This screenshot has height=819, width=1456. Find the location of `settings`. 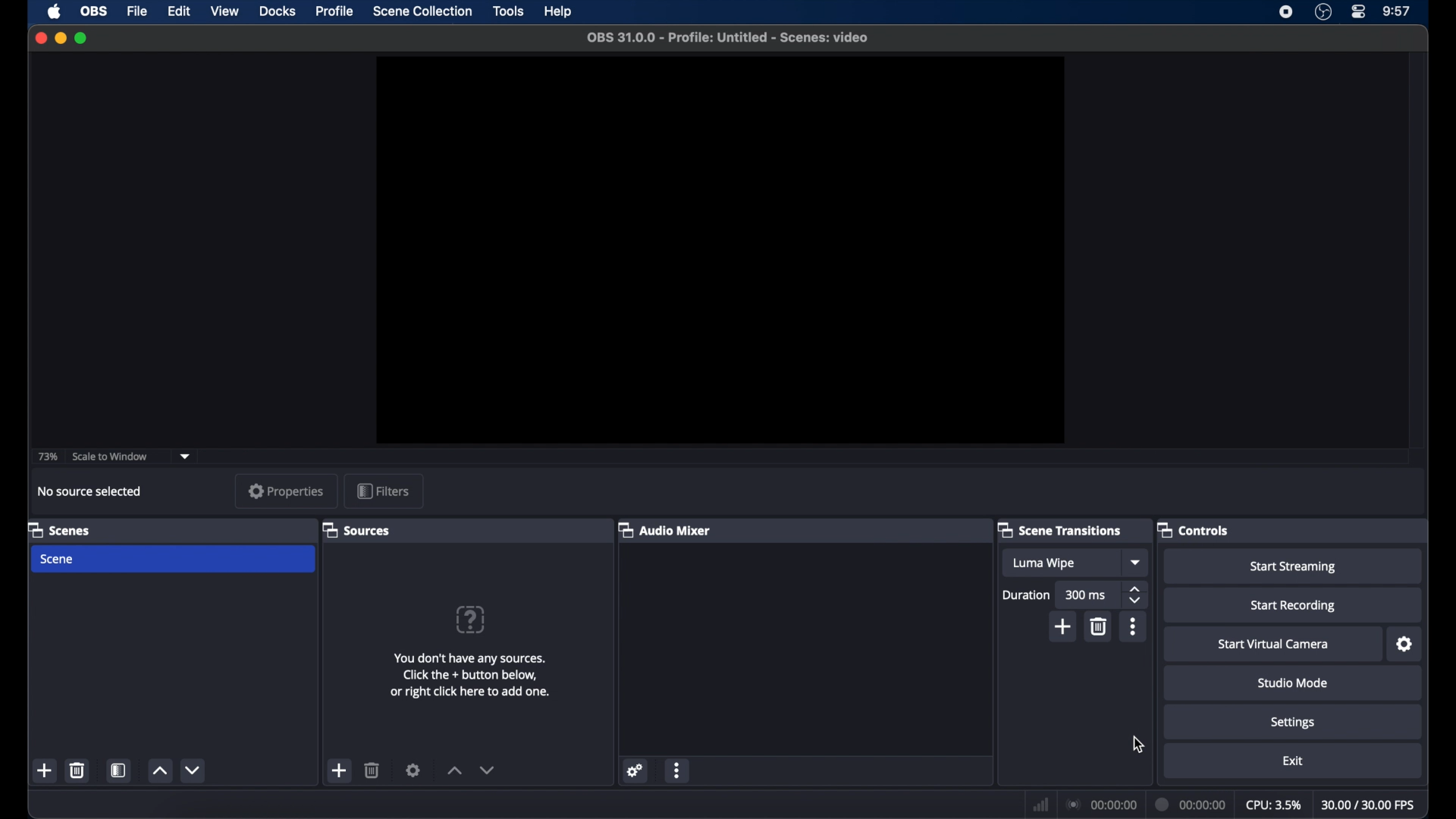

settings is located at coordinates (413, 770).